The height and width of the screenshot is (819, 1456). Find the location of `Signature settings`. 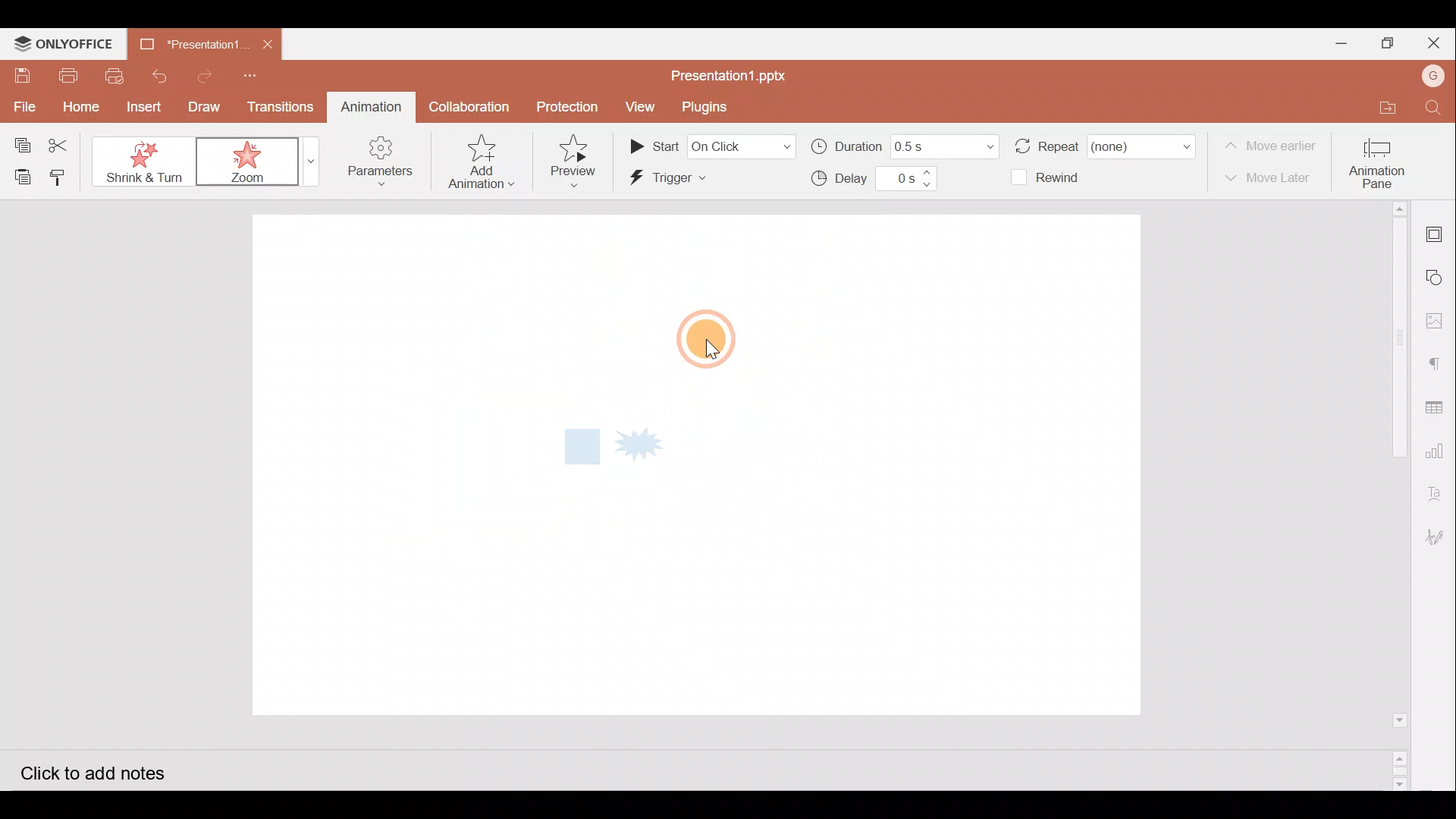

Signature settings is located at coordinates (1438, 535).